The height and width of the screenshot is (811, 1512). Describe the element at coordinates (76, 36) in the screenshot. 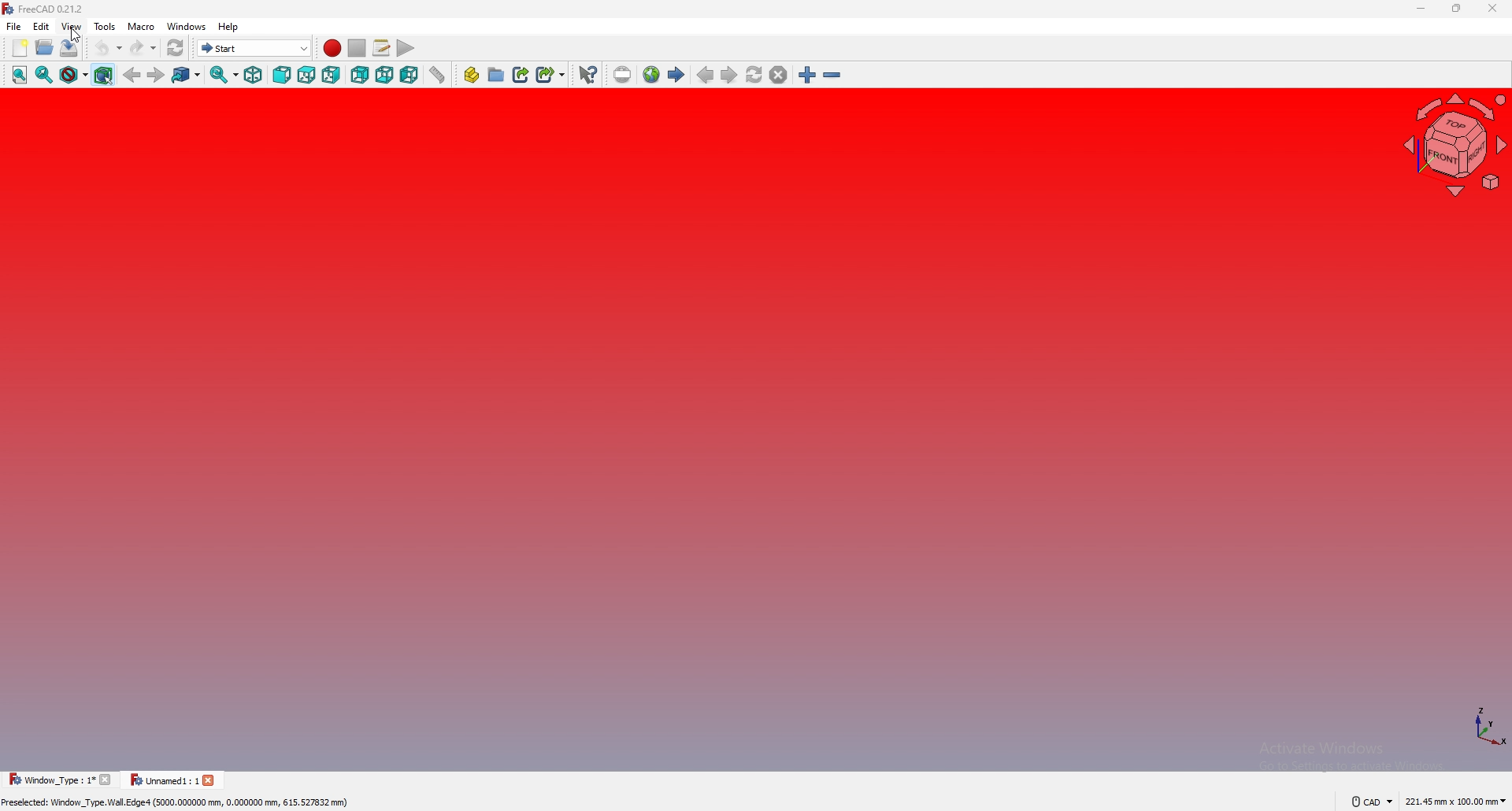

I see `cursor` at that location.